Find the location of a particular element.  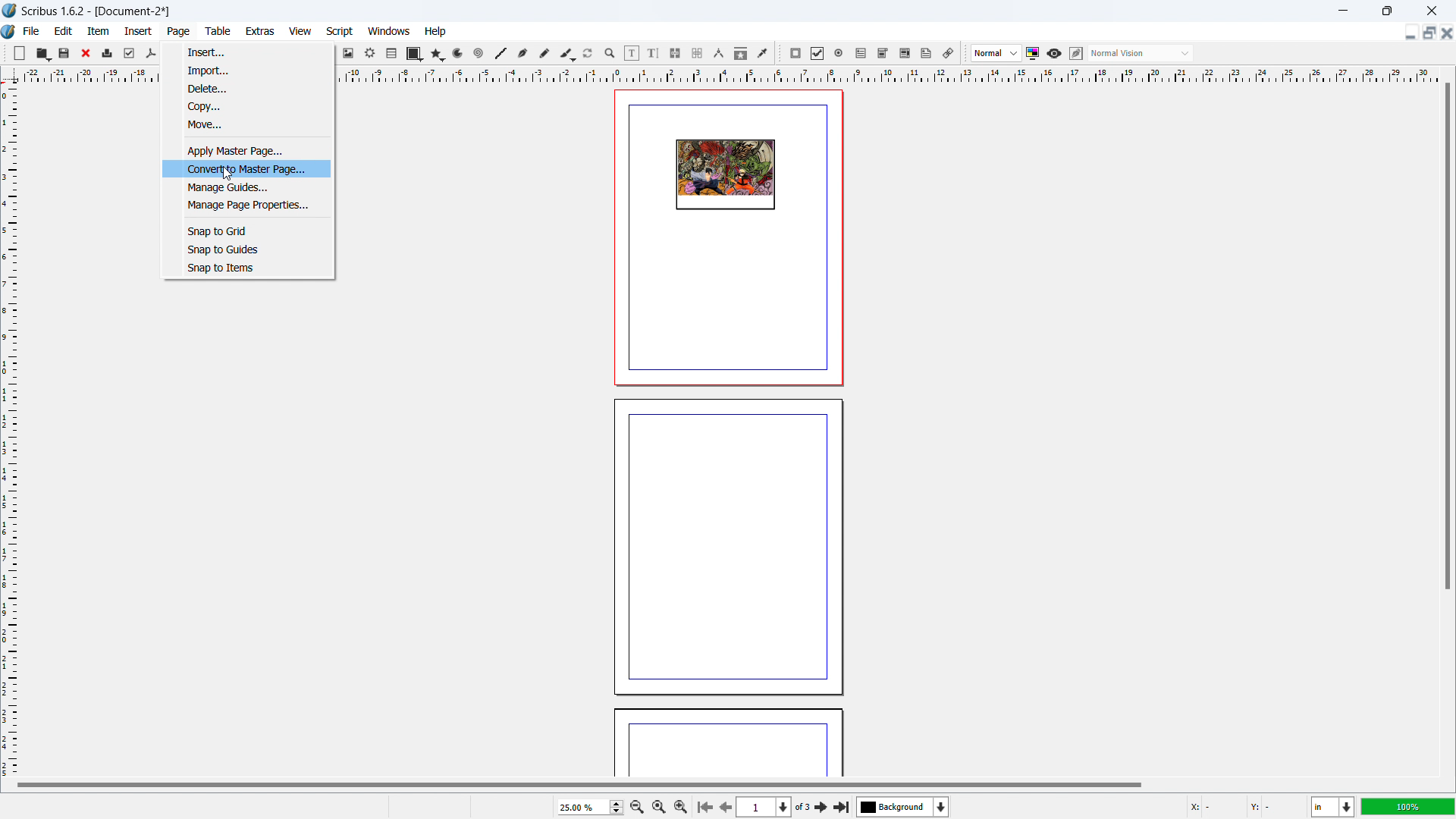

eye dropper is located at coordinates (764, 52).